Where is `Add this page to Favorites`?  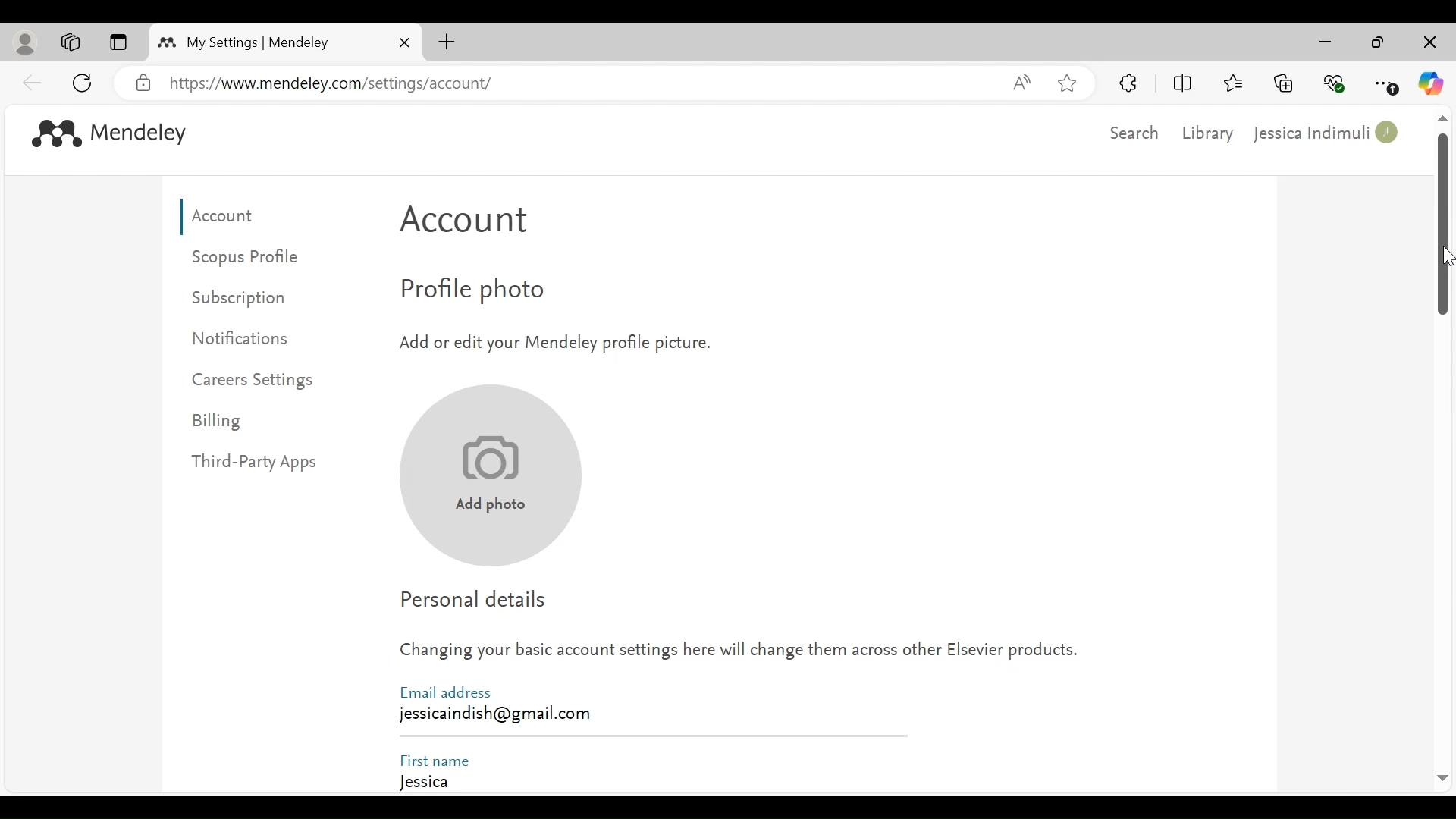 Add this page to Favorites is located at coordinates (1066, 83).